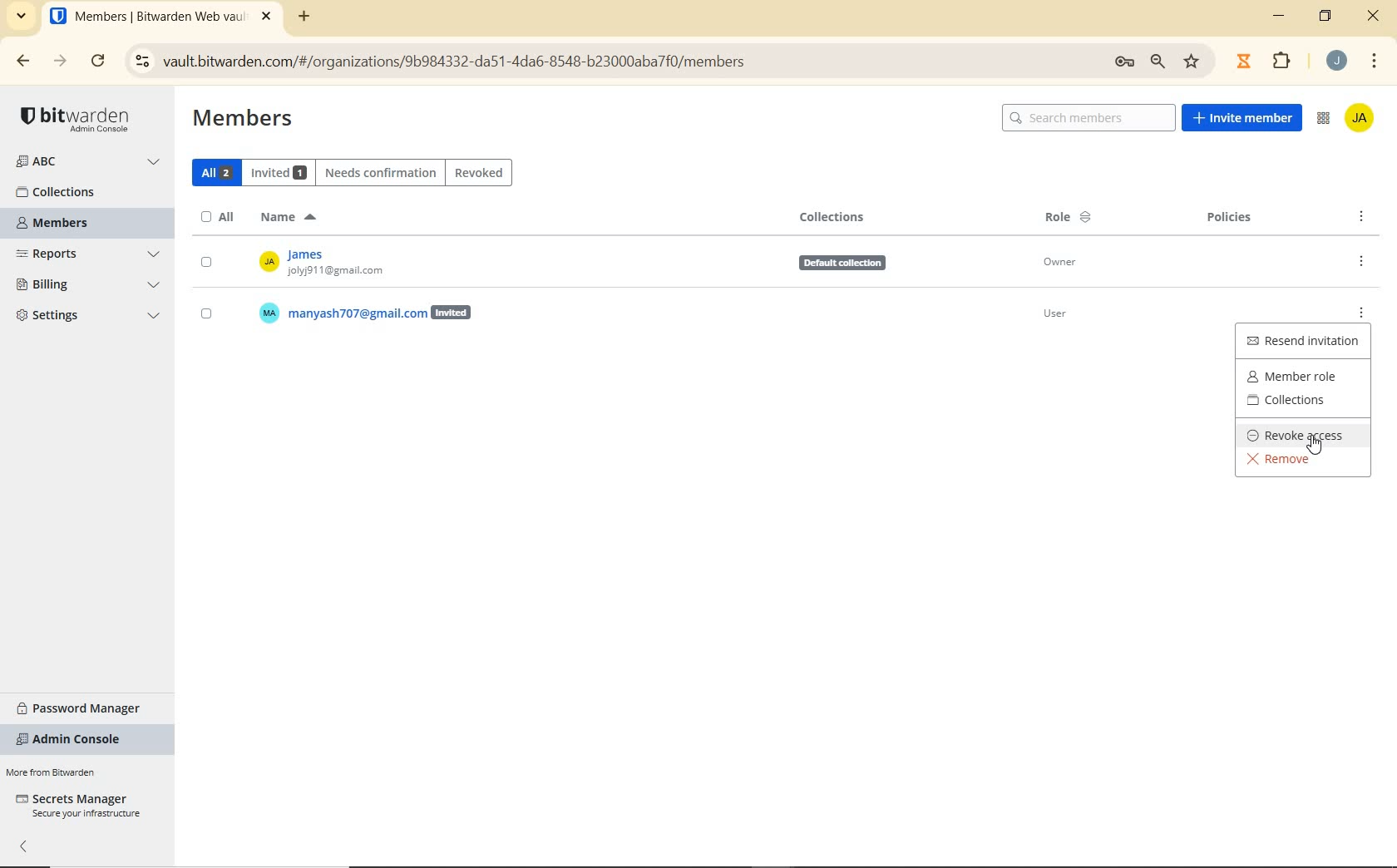  Describe the element at coordinates (1243, 119) in the screenshot. I see `INVITE MEMBER` at that location.